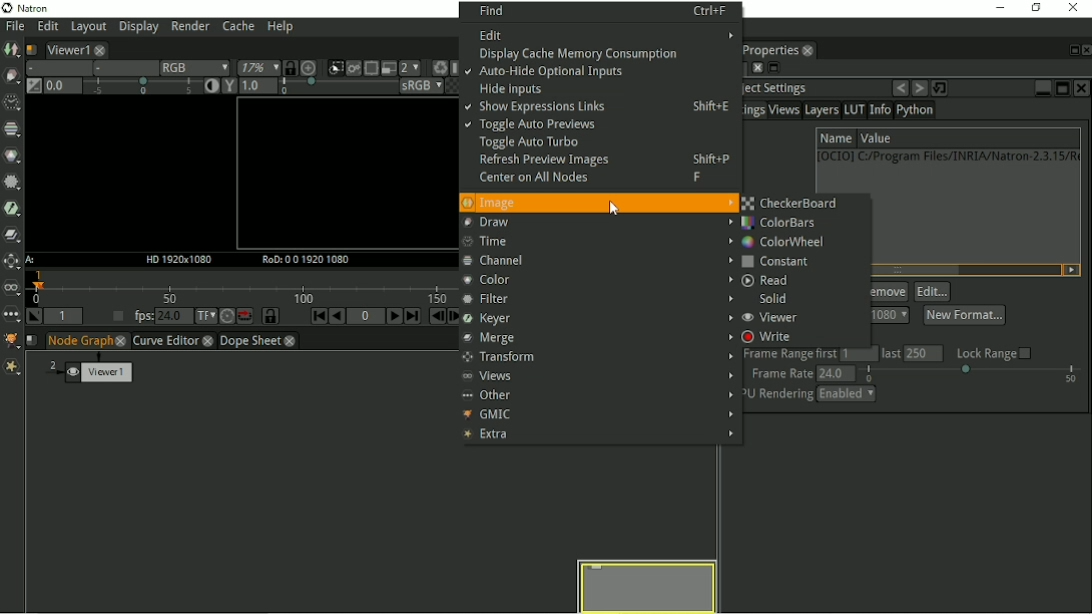 Image resolution: width=1092 pixels, height=614 pixels. Describe the element at coordinates (173, 341) in the screenshot. I see `Curve Editor` at that location.